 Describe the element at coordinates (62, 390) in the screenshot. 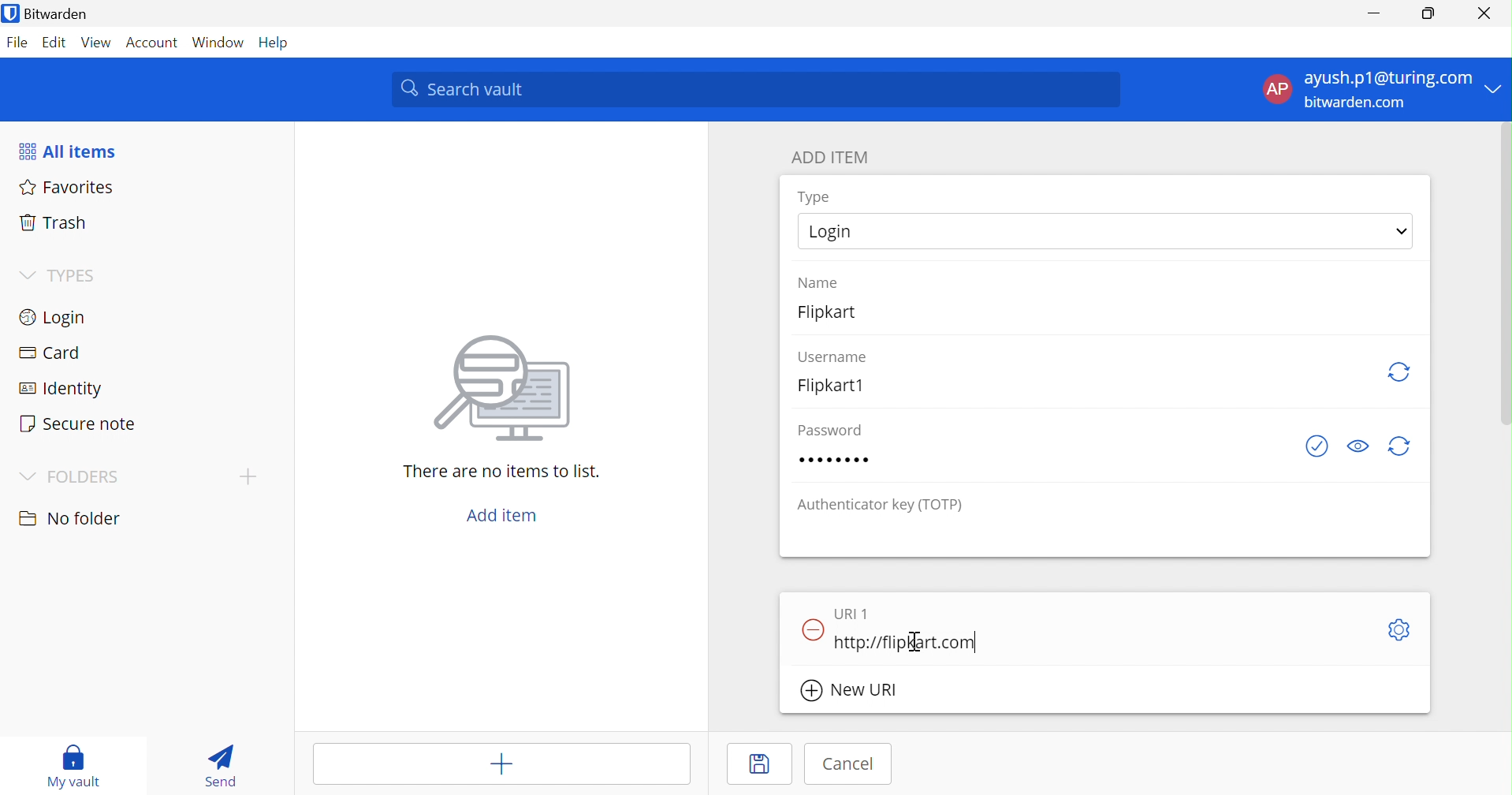

I see `Identity` at that location.